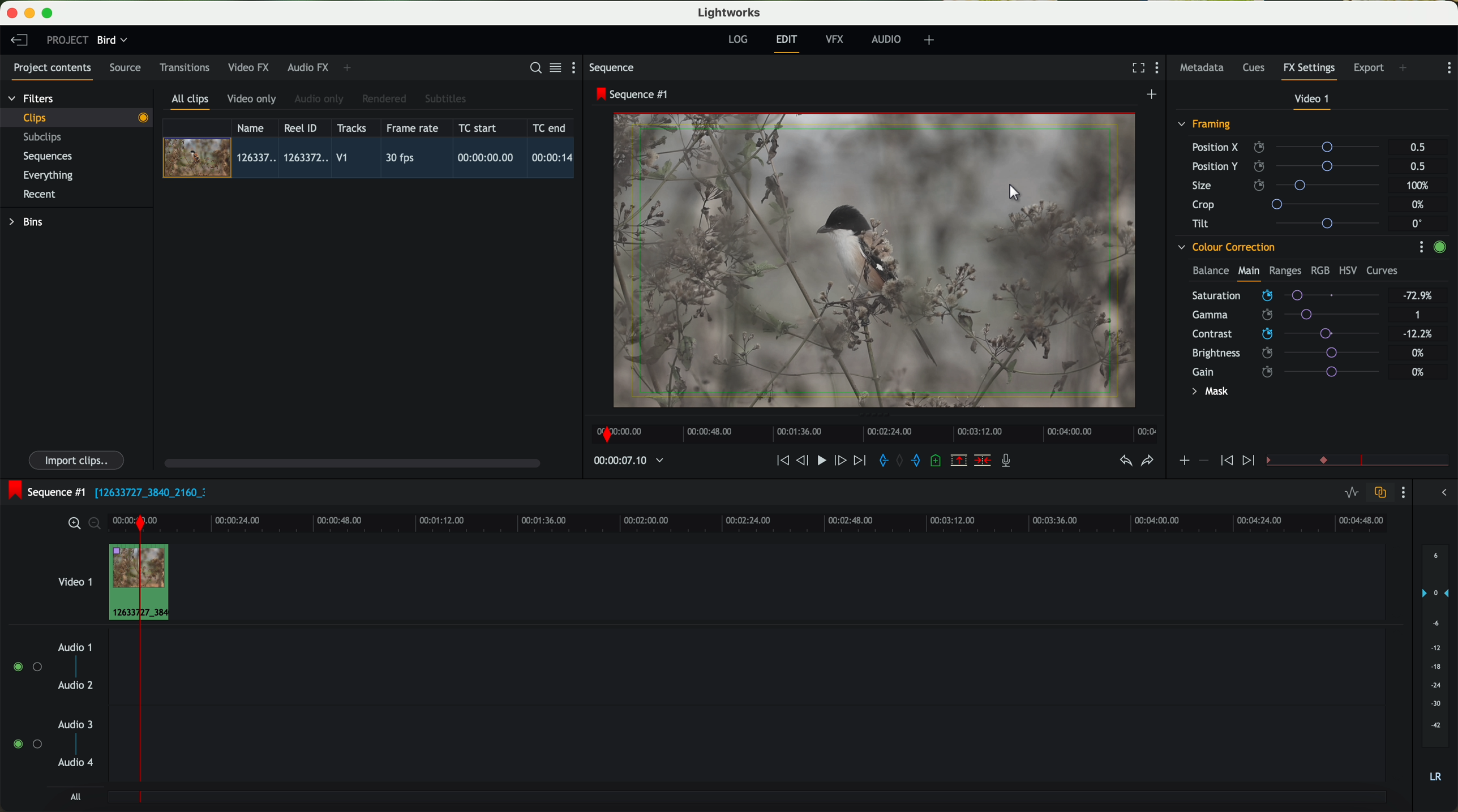  What do you see at coordinates (1290, 147) in the screenshot?
I see `position X` at bounding box center [1290, 147].